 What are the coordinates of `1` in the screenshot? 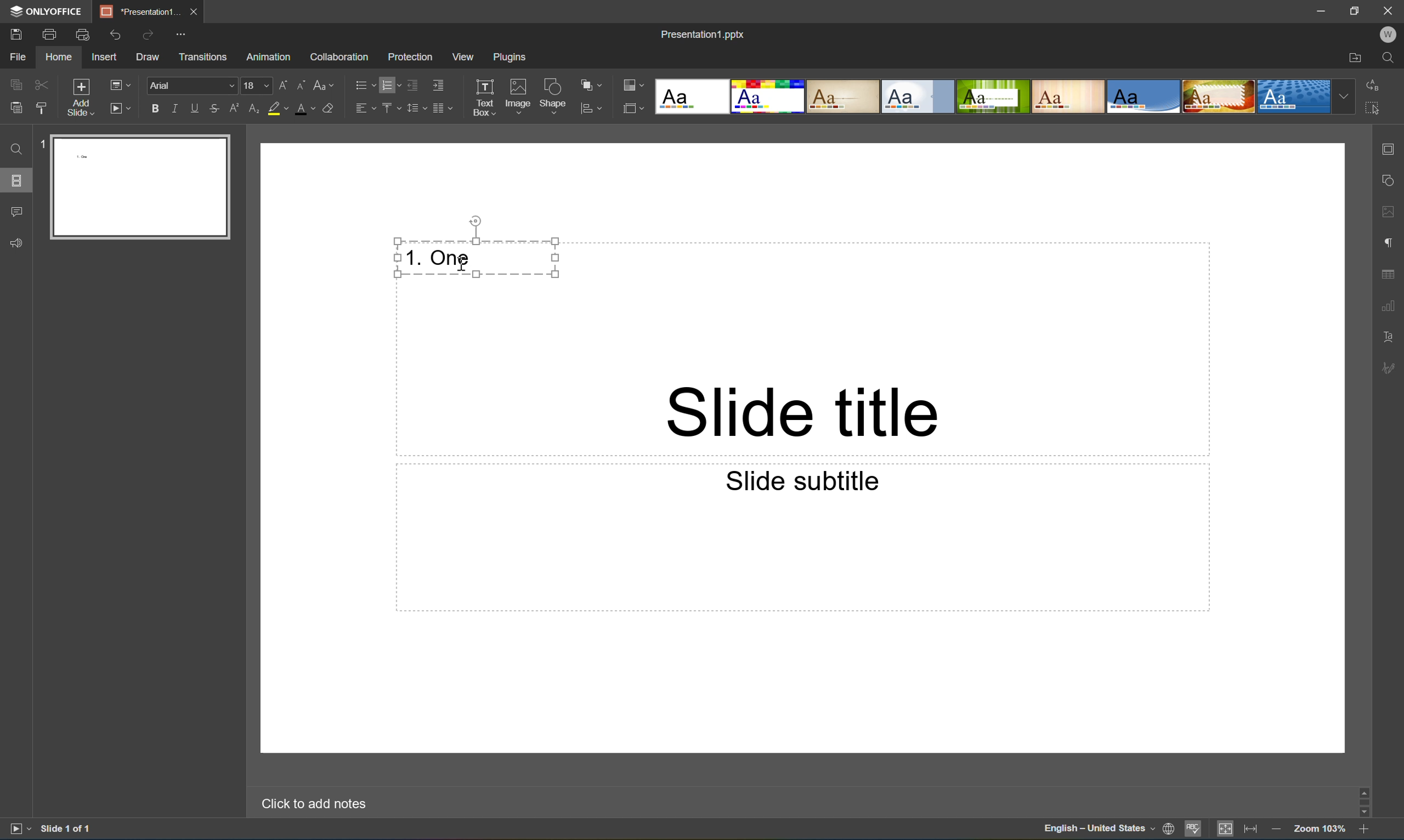 It's located at (41, 147).